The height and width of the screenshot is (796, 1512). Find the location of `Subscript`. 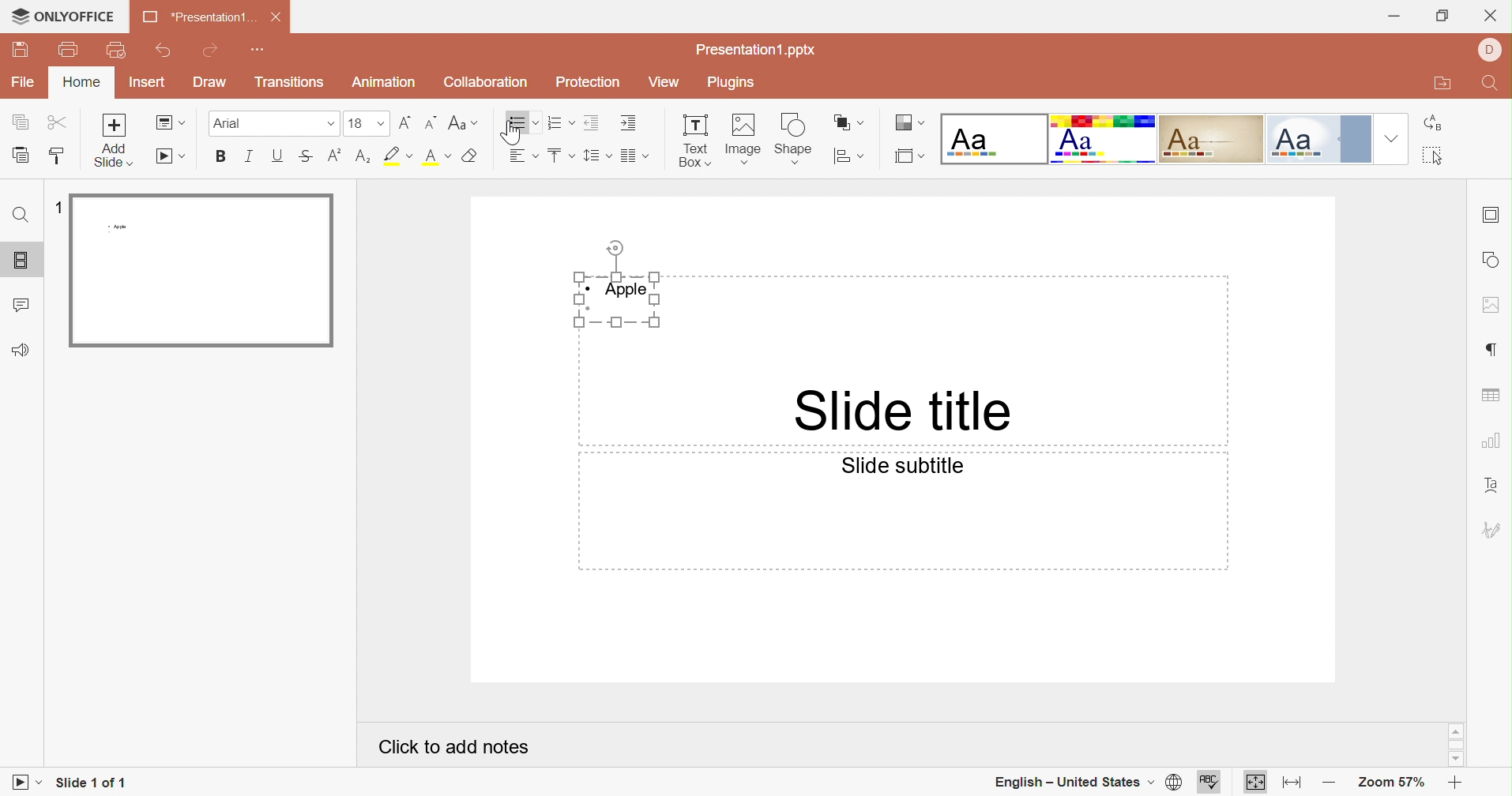

Subscript is located at coordinates (335, 157).